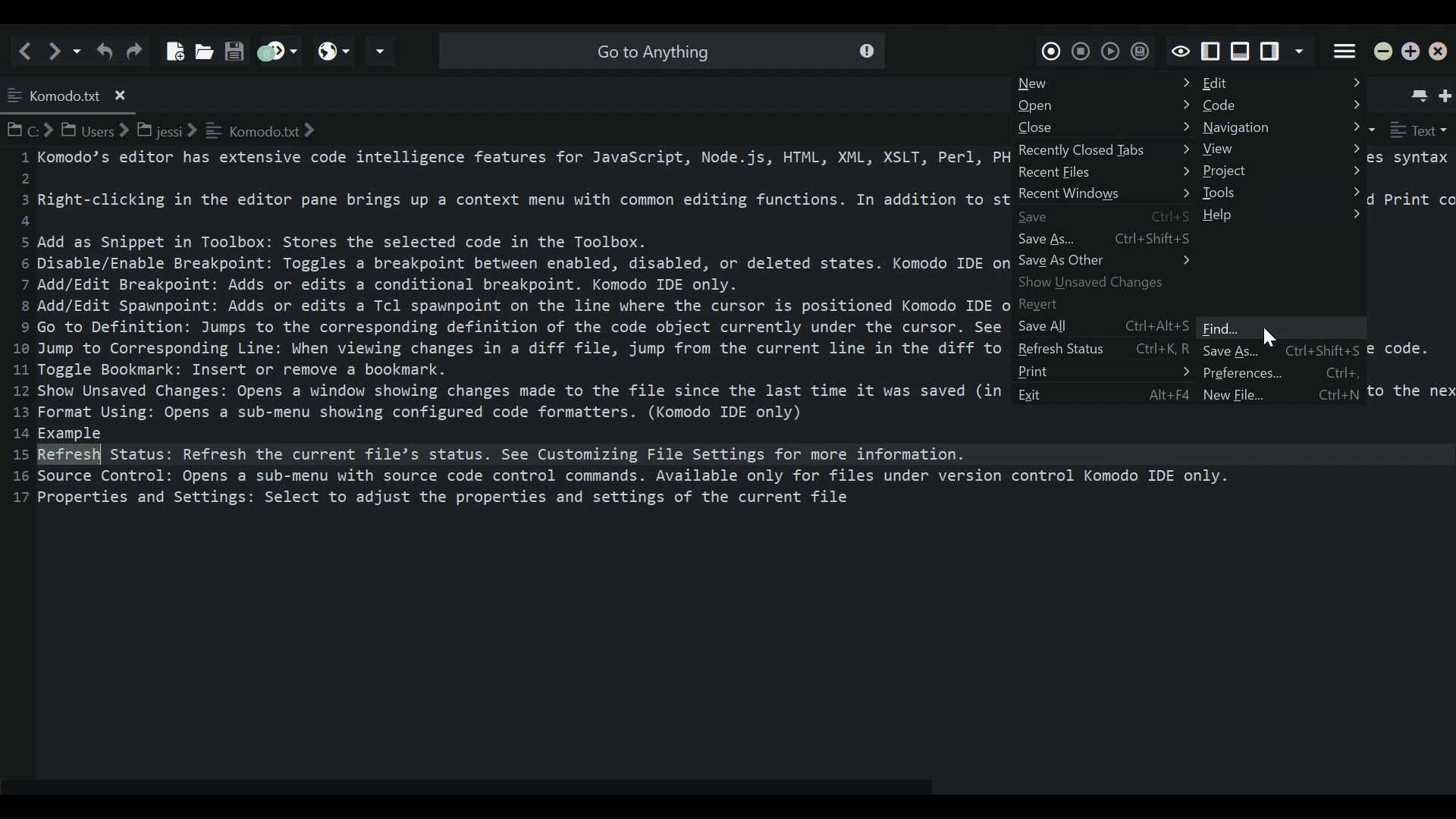 Image resolution: width=1456 pixels, height=819 pixels. Describe the element at coordinates (1239, 52) in the screenshot. I see `Show/Hide Pane Below` at that location.